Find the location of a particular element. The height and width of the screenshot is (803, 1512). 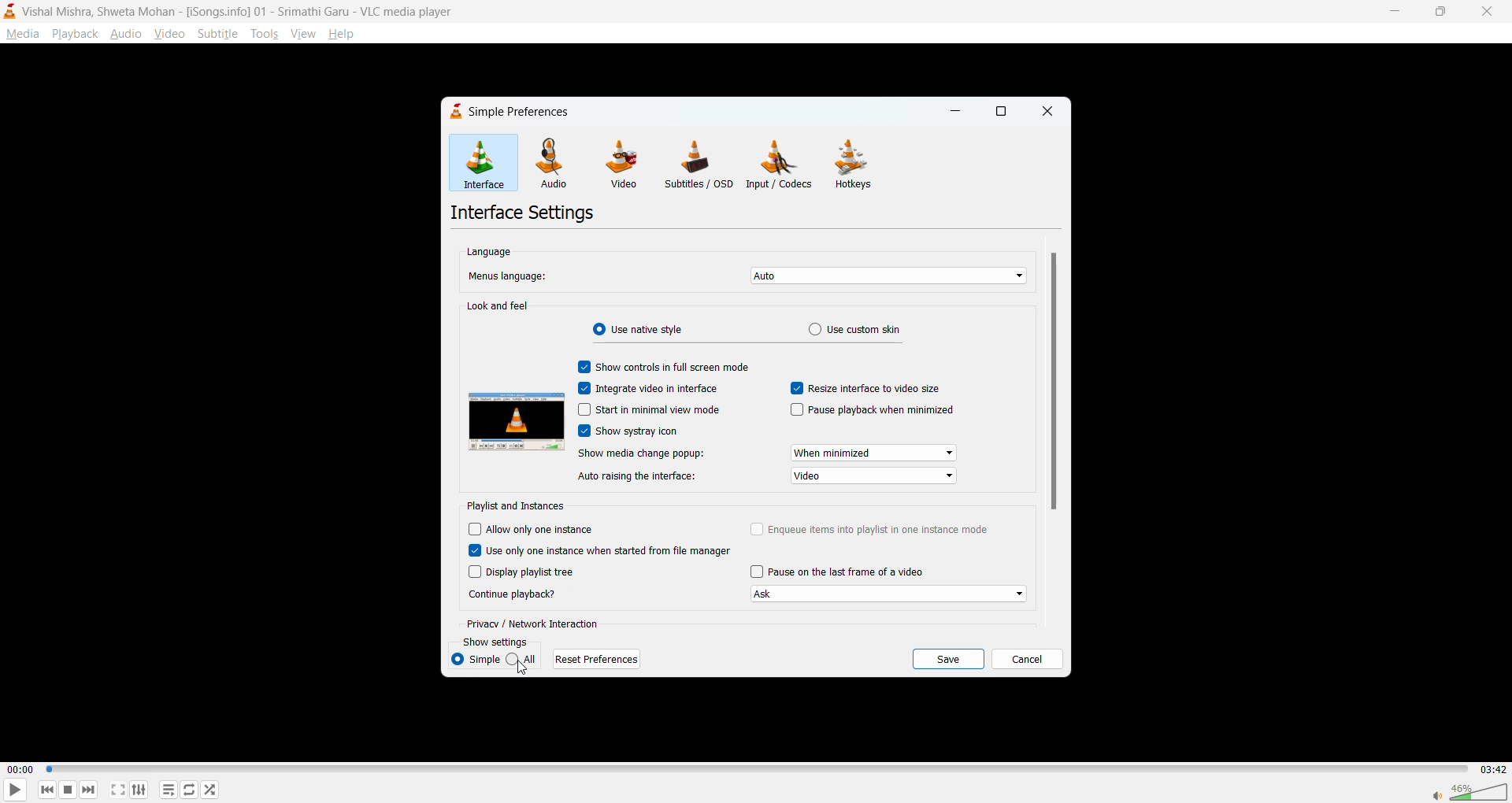

show settings is located at coordinates (498, 641).